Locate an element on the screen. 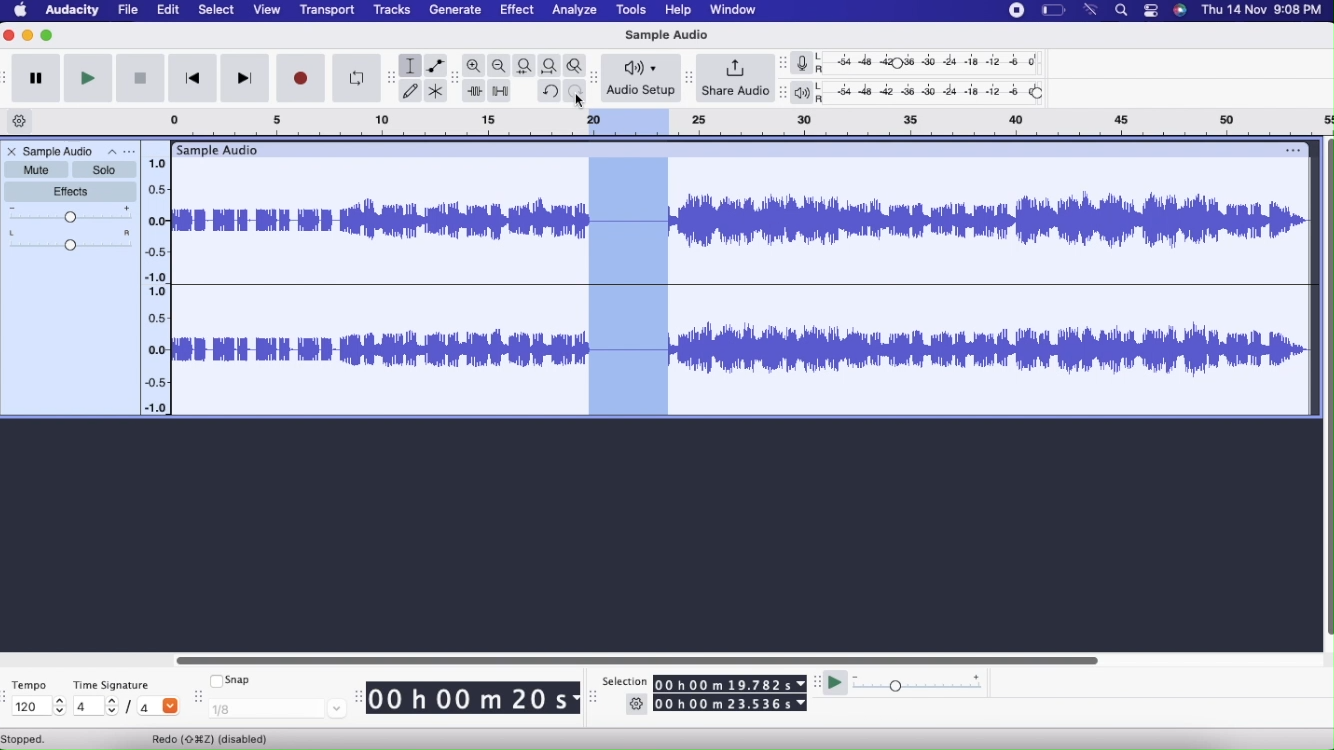  Share Audio is located at coordinates (737, 78).